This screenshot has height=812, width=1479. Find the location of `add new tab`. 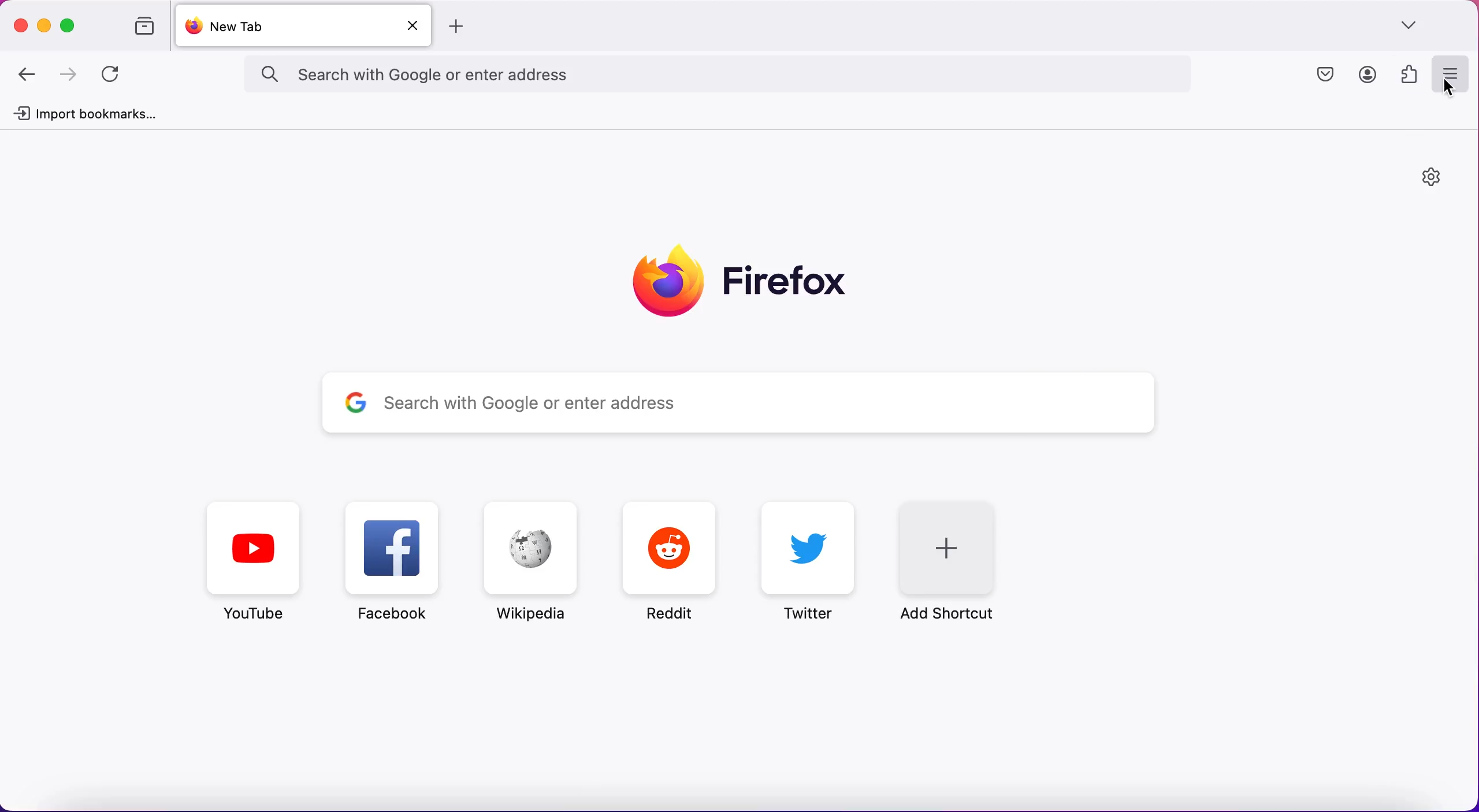

add new tab is located at coordinates (461, 27).